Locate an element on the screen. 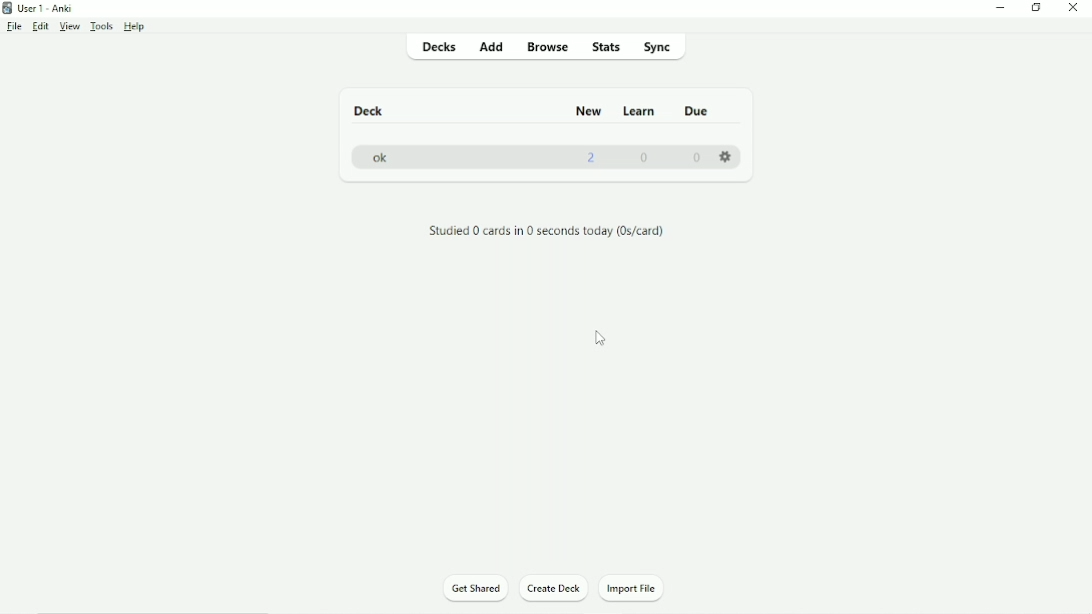 The image size is (1092, 614). ok is located at coordinates (379, 157).